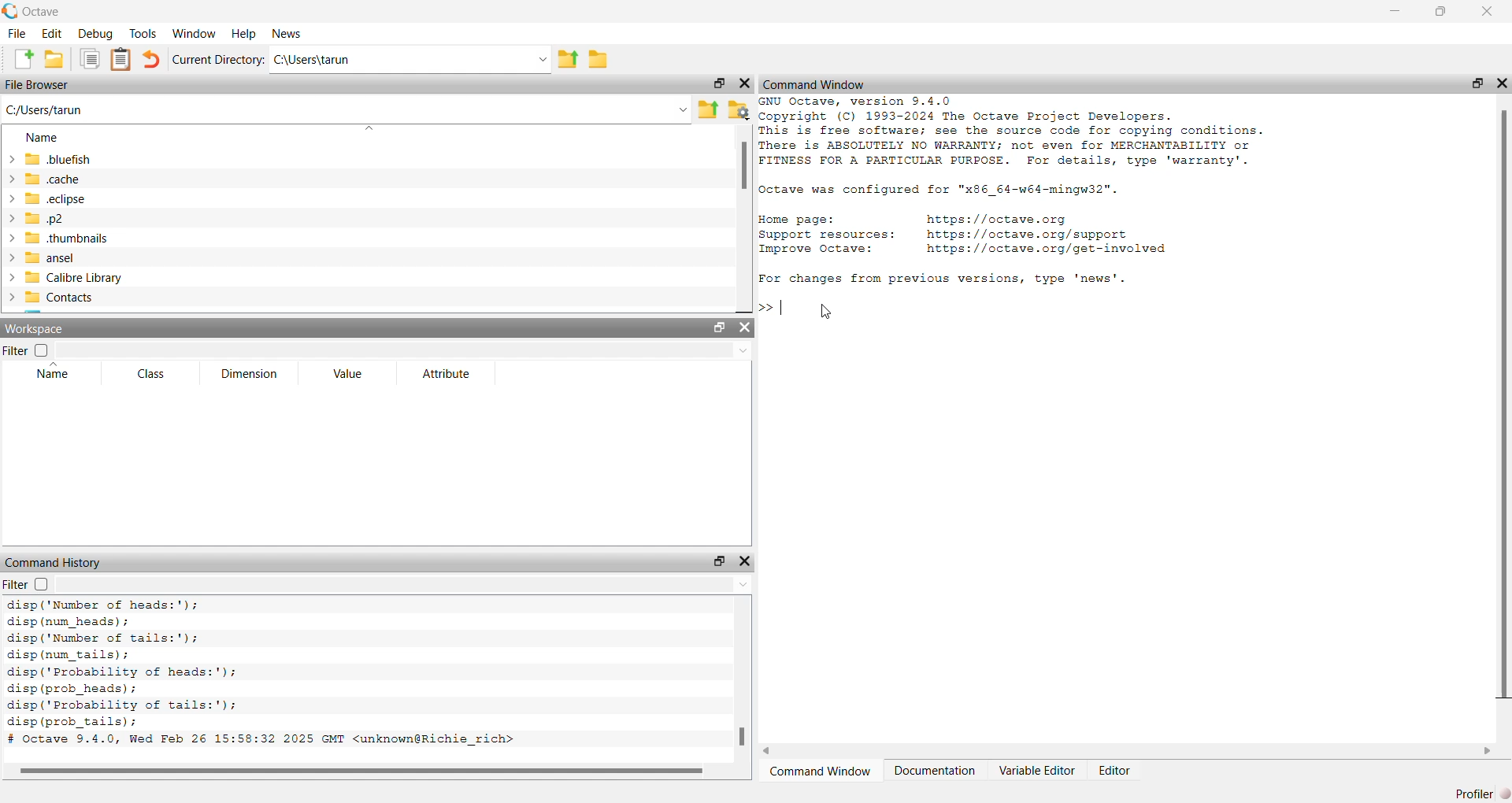 This screenshot has height=803, width=1512. I want to click on Browse Directions, so click(598, 59).